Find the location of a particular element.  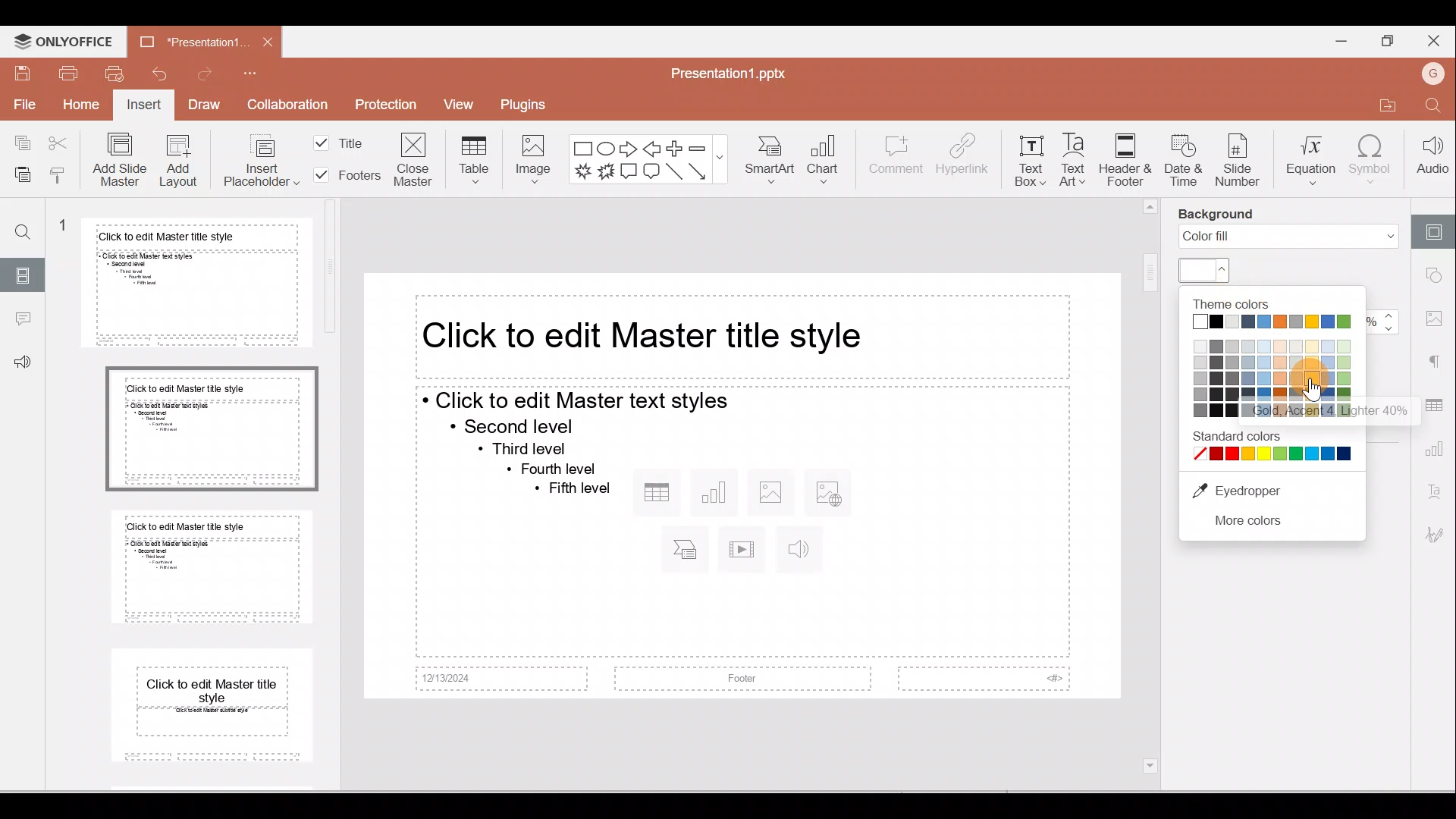

Draw is located at coordinates (206, 107).